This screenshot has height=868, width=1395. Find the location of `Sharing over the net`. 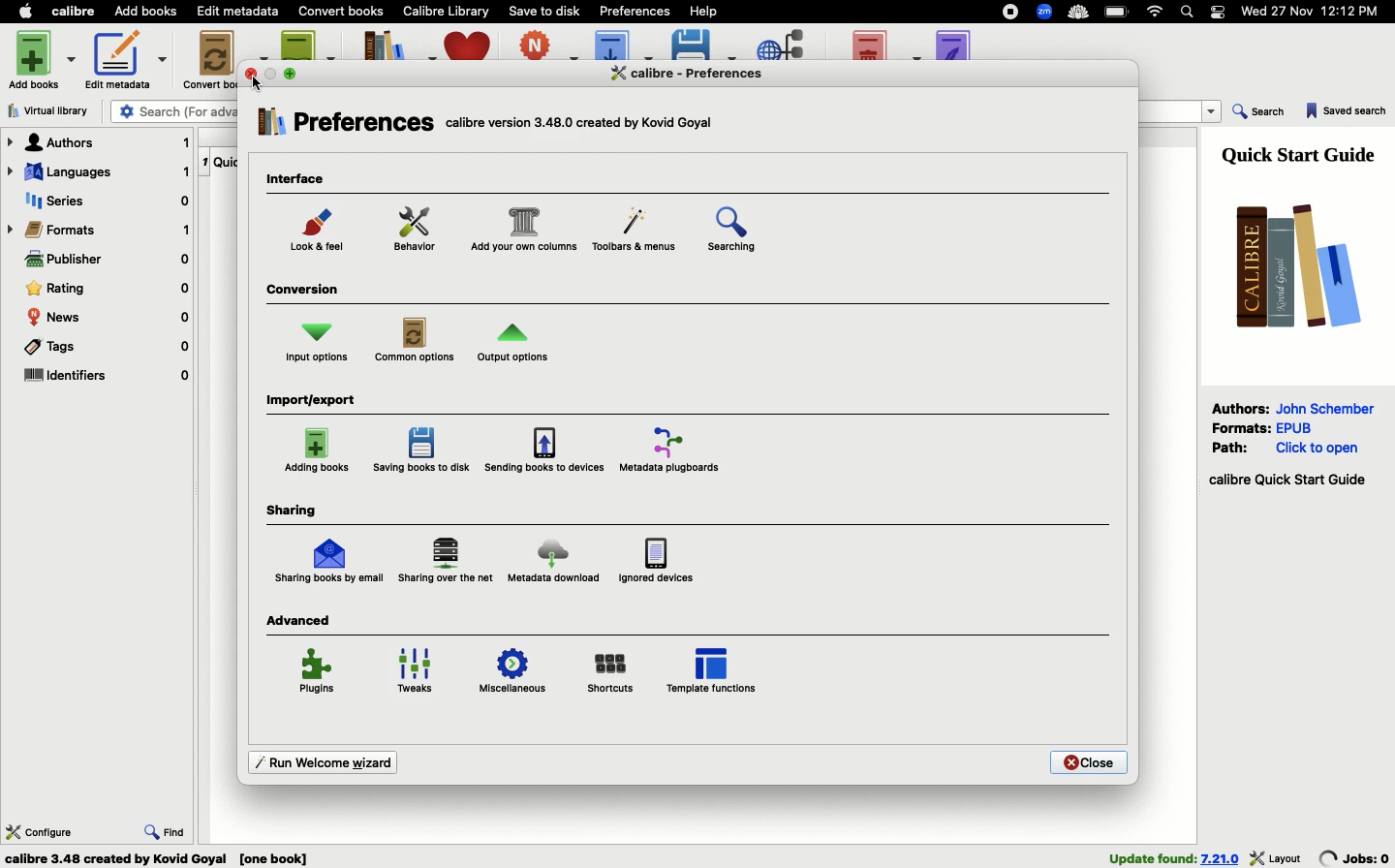

Sharing over the net is located at coordinates (448, 561).